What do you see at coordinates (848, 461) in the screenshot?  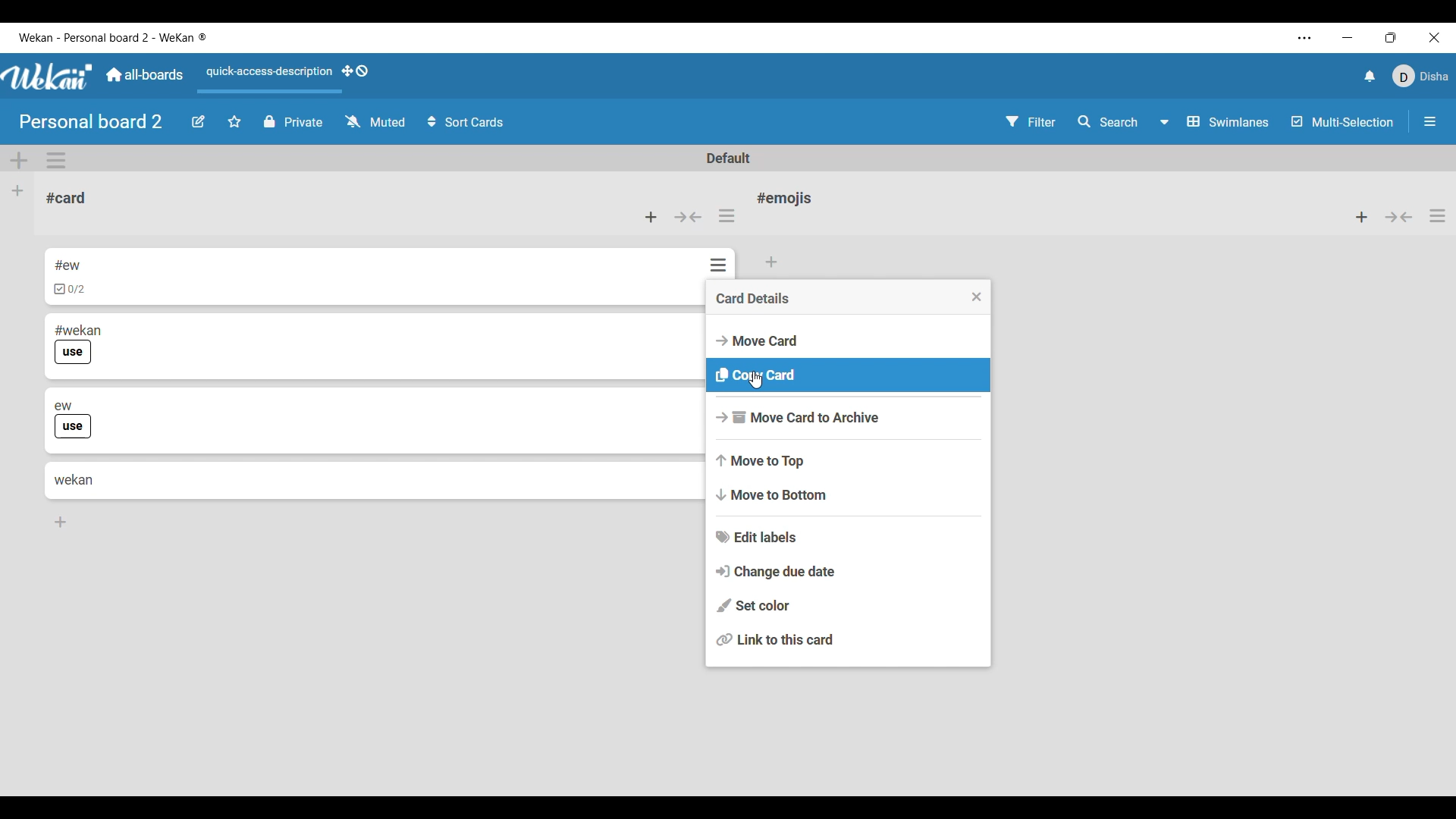 I see `Move to top` at bounding box center [848, 461].